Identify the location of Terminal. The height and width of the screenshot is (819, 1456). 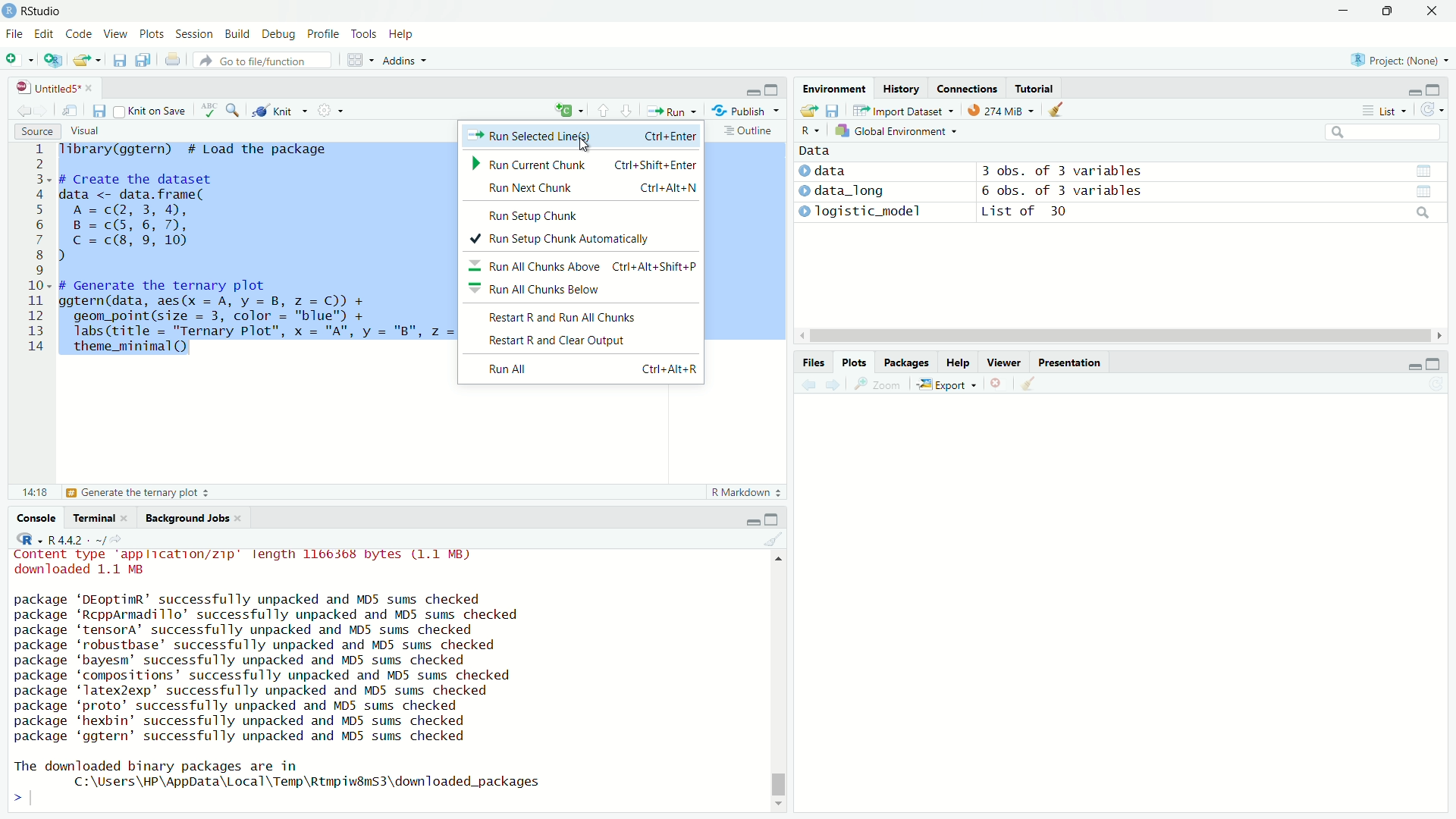
(95, 518).